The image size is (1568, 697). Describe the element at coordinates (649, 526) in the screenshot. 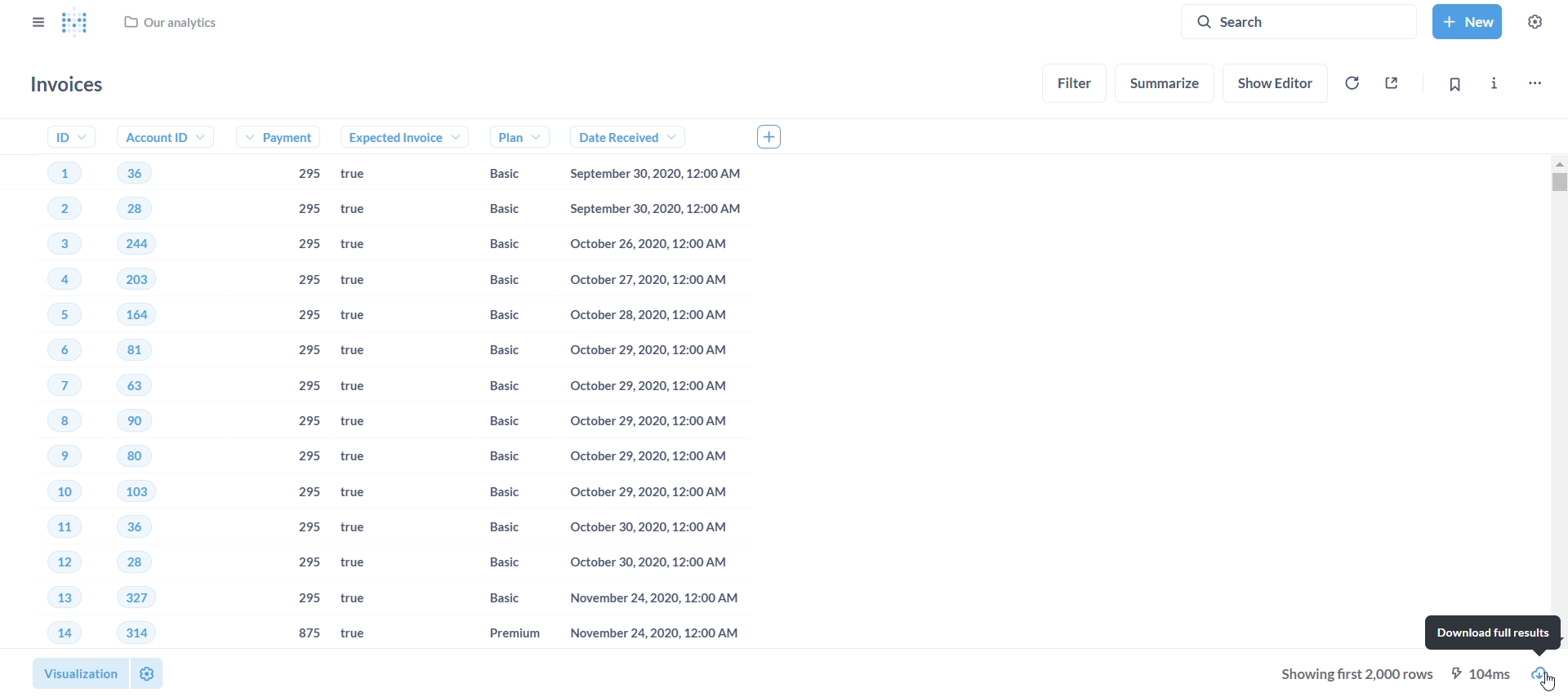

I see `October 30,2020, 12:00 AM` at that location.